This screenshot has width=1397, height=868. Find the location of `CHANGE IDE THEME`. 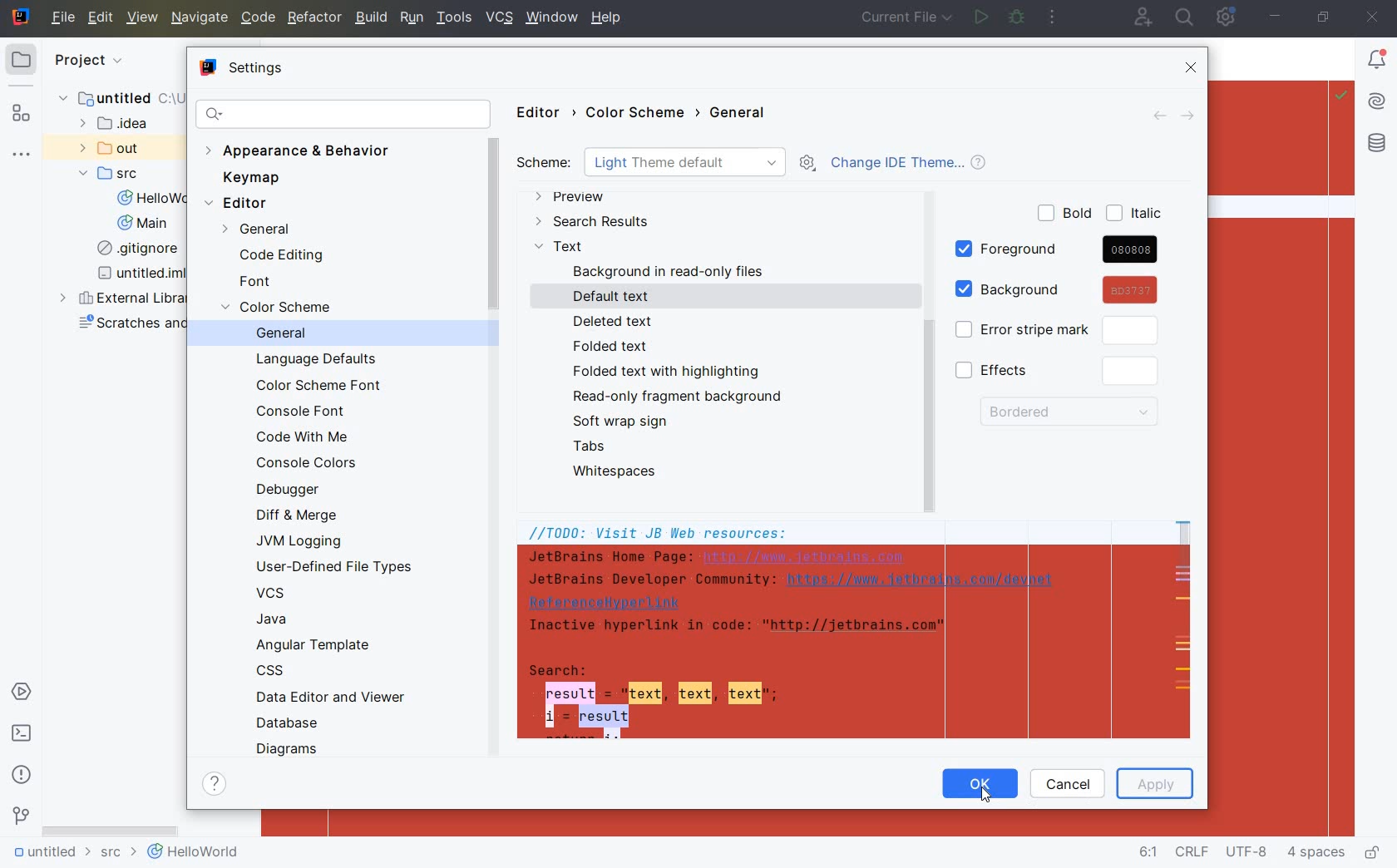

CHANGE IDE THEME is located at coordinates (916, 165).